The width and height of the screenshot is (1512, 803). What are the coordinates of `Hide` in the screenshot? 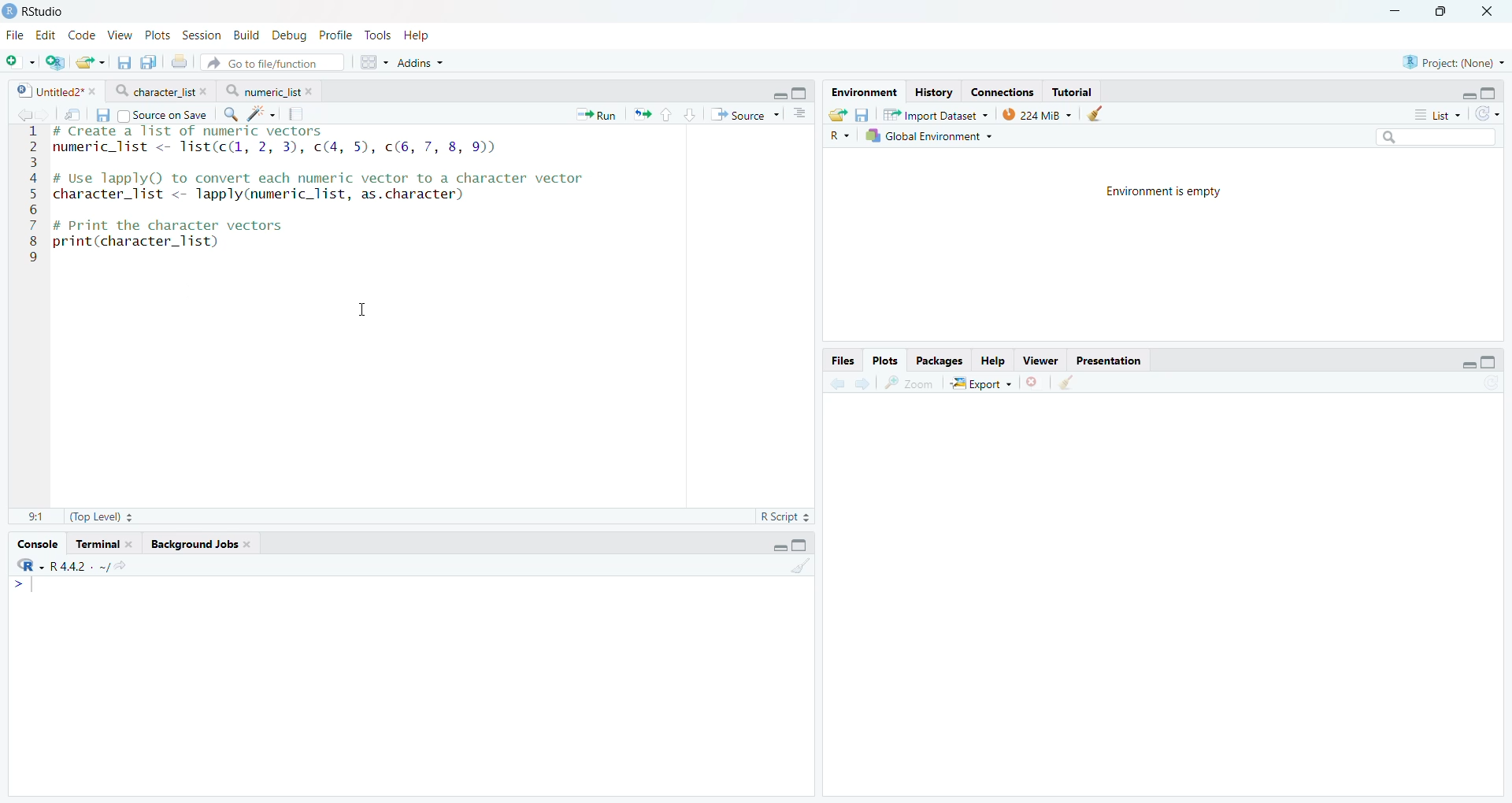 It's located at (1469, 364).